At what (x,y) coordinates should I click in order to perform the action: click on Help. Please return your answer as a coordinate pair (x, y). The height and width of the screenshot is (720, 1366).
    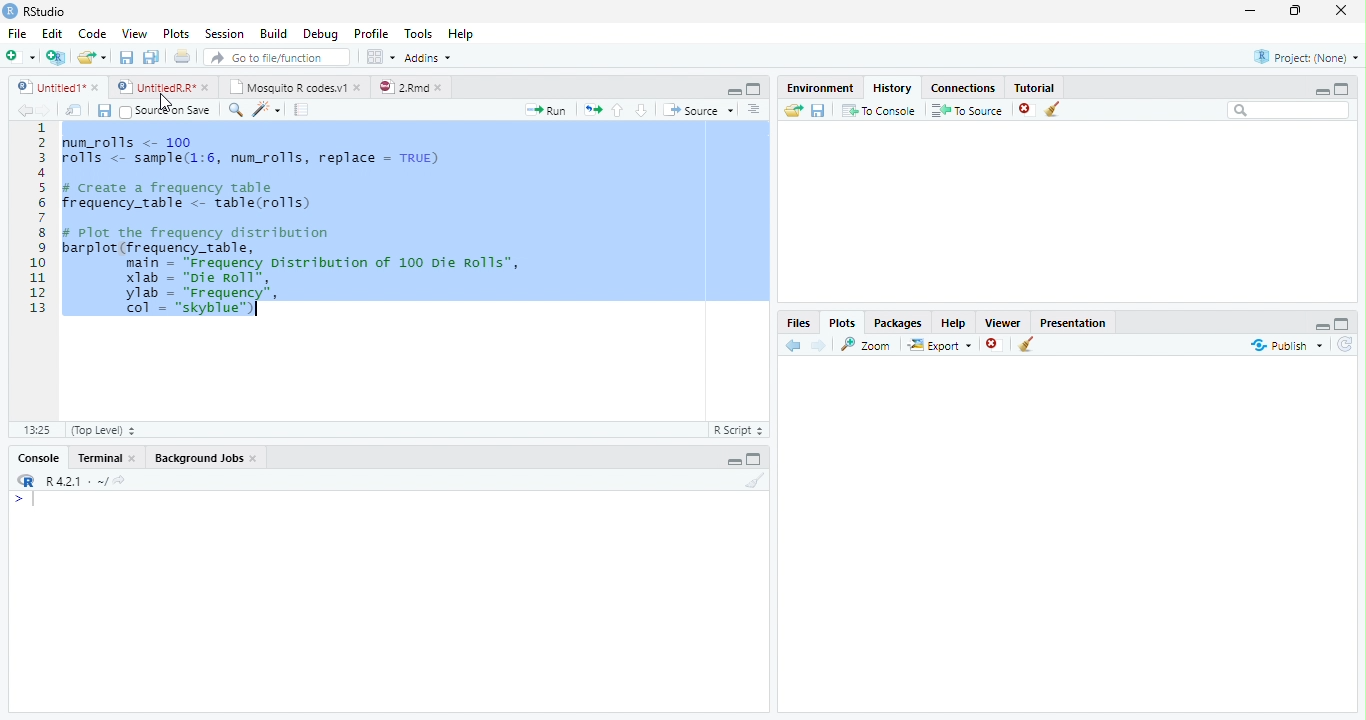
    Looking at the image, I should click on (954, 322).